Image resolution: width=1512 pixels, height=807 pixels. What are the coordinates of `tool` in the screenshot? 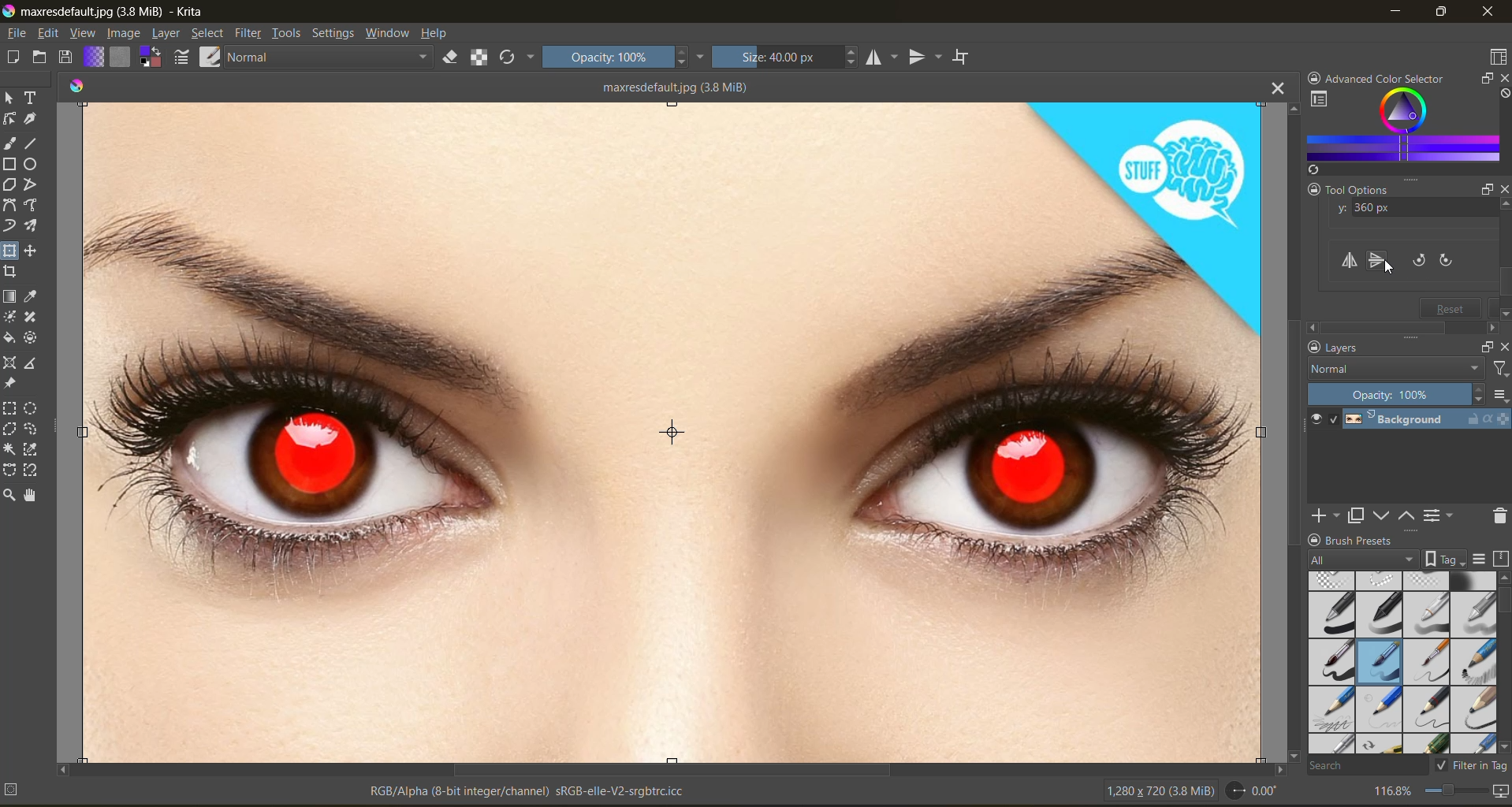 It's located at (33, 407).